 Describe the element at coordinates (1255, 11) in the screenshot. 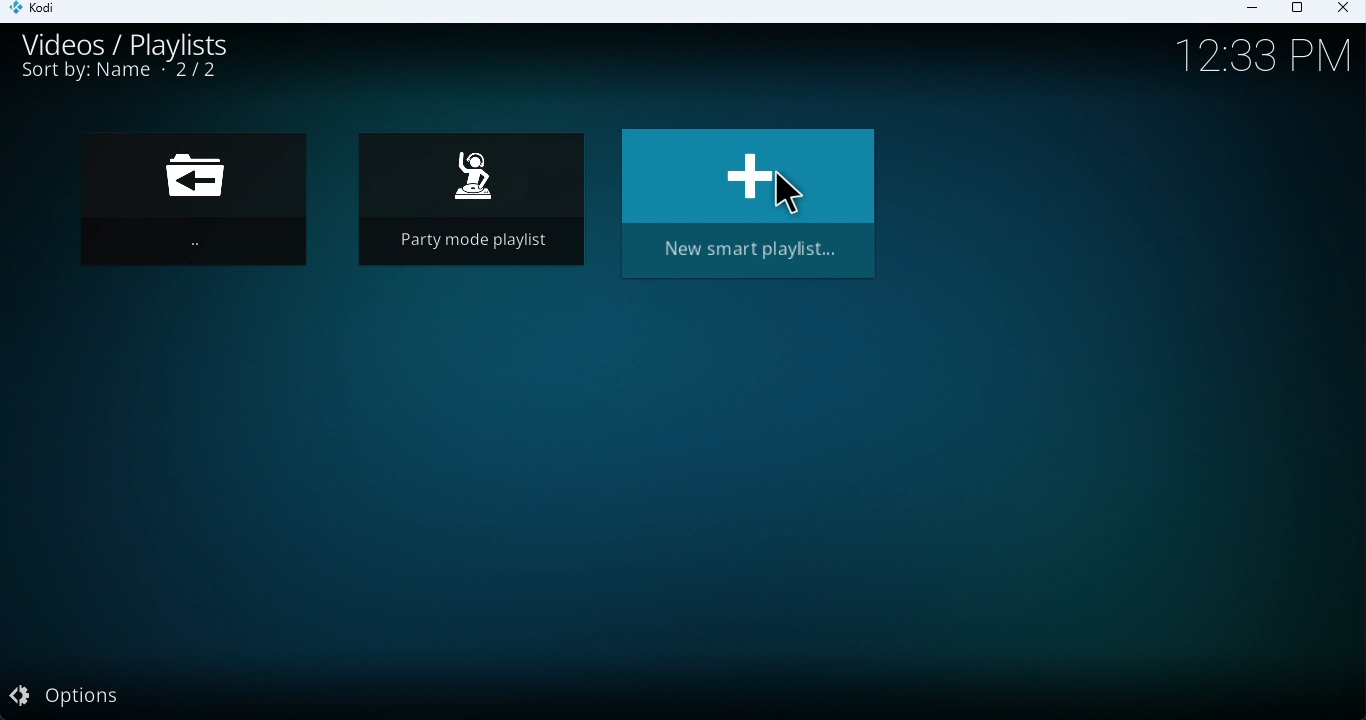

I see `Minimize` at that location.